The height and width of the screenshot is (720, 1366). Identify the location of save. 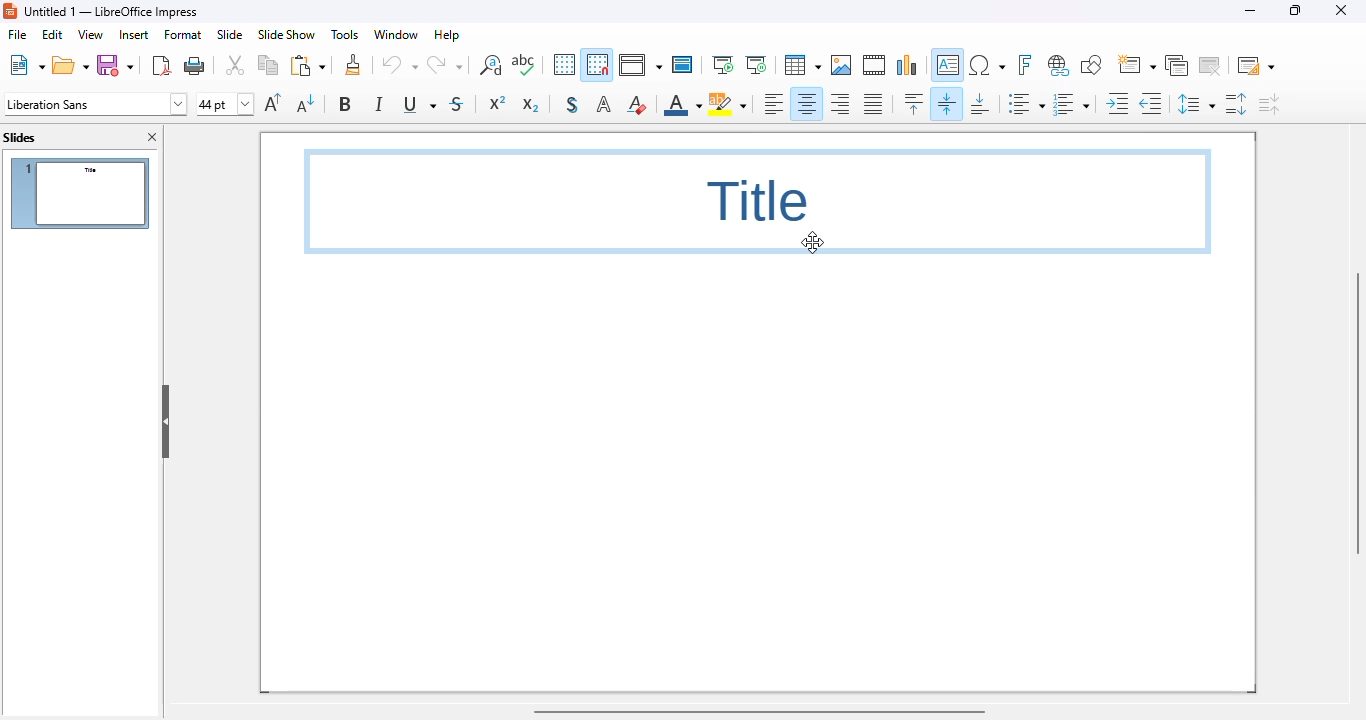
(115, 65).